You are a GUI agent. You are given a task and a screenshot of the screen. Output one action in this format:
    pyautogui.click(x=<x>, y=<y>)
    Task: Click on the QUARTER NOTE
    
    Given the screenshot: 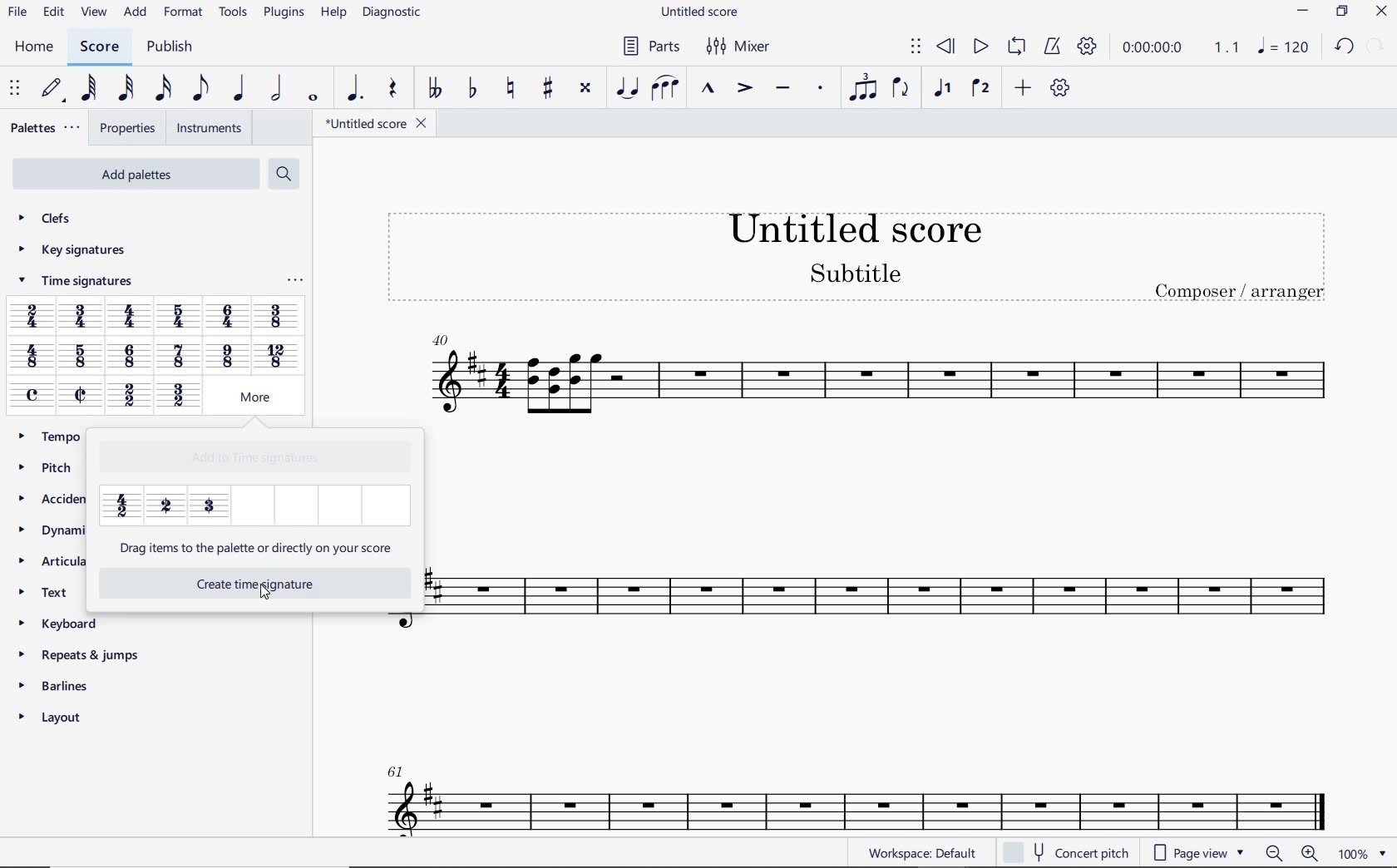 What is the action you would take?
    pyautogui.click(x=239, y=88)
    